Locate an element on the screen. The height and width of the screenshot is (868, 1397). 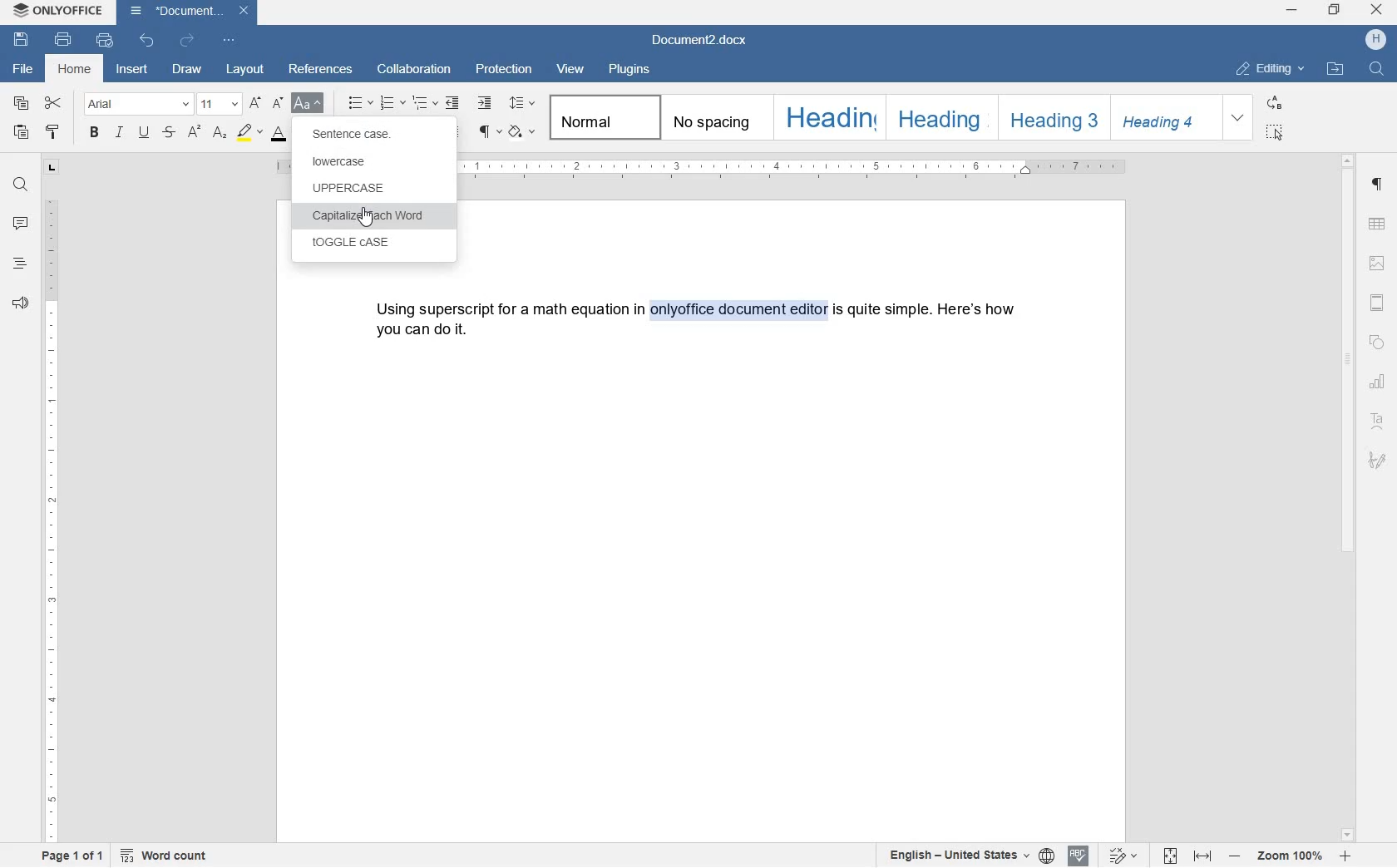
minimize is located at coordinates (1291, 10).